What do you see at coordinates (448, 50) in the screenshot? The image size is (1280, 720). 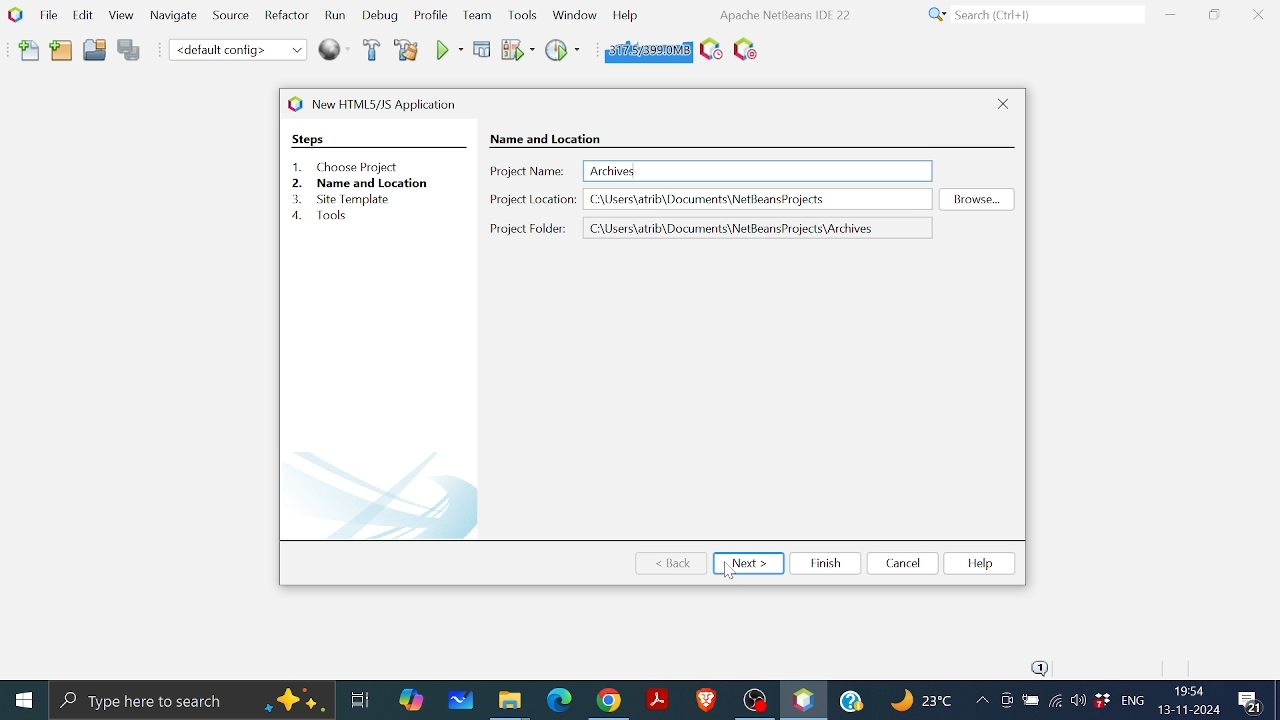 I see `Run` at bounding box center [448, 50].